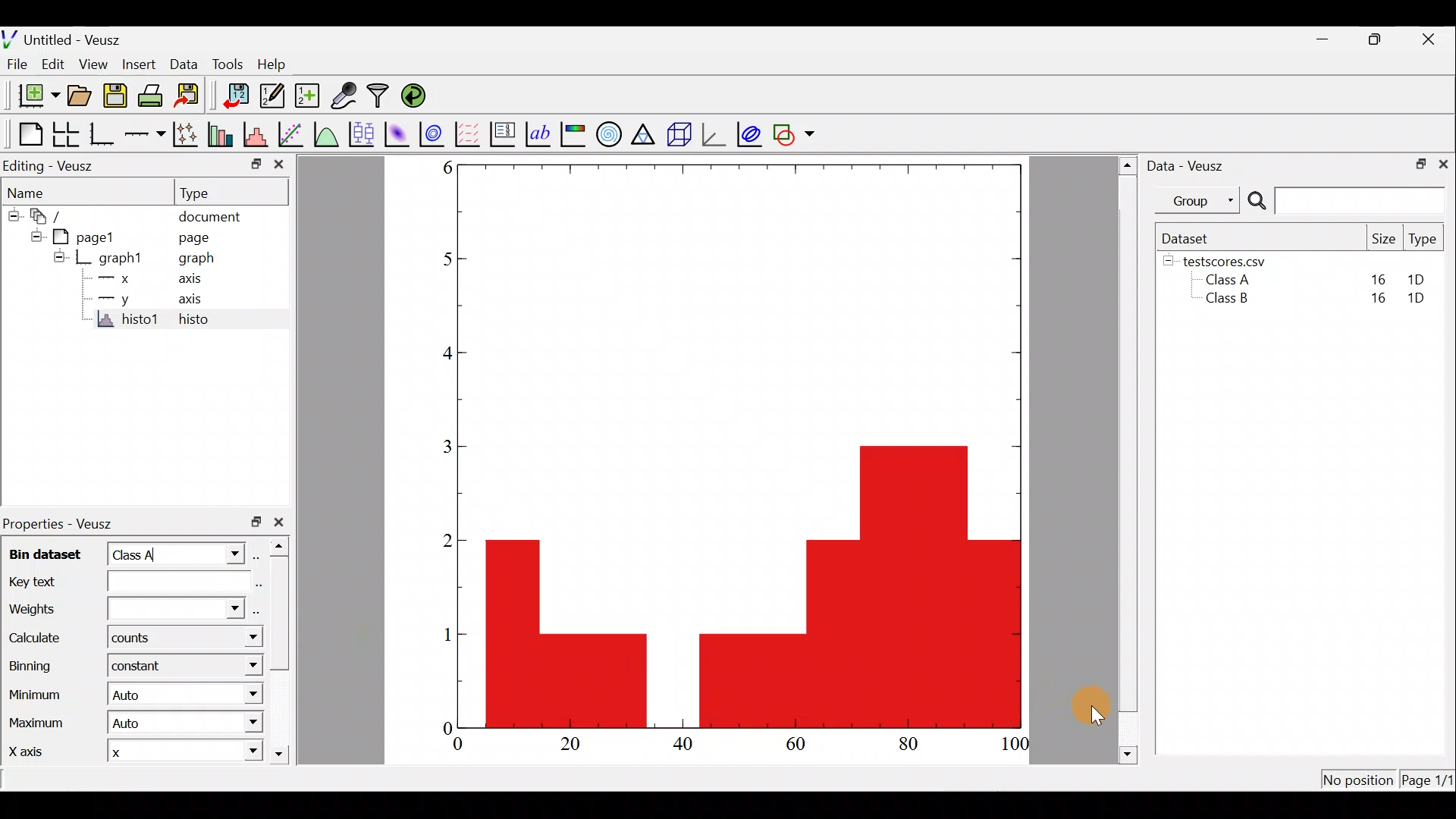  What do you see at coordinates (243, 667) in the screenshot?
I see `Binning menu` at bounding box center [243, 667].